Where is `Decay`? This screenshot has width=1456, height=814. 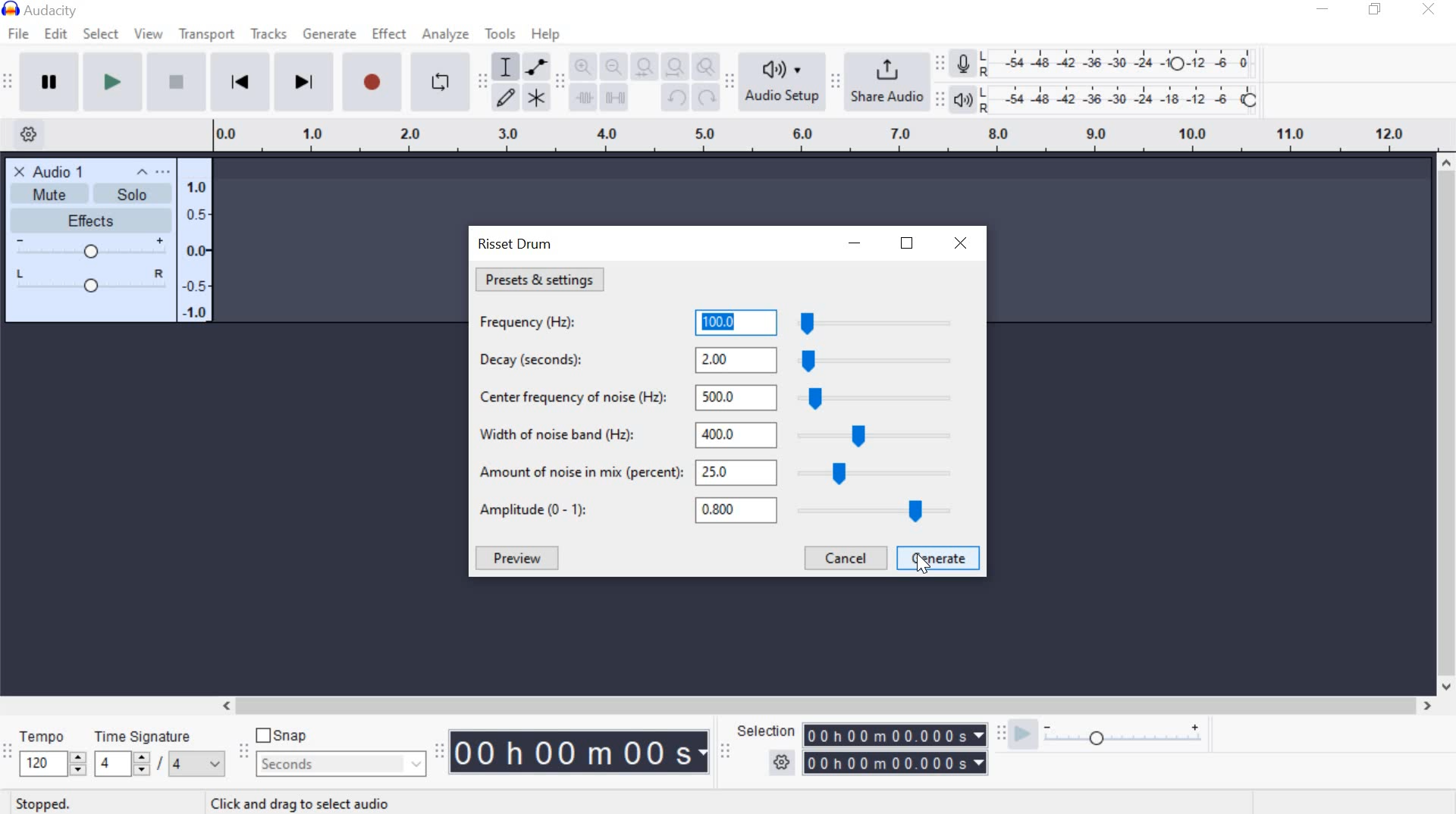
Decay is located at coordinates (725, 358).